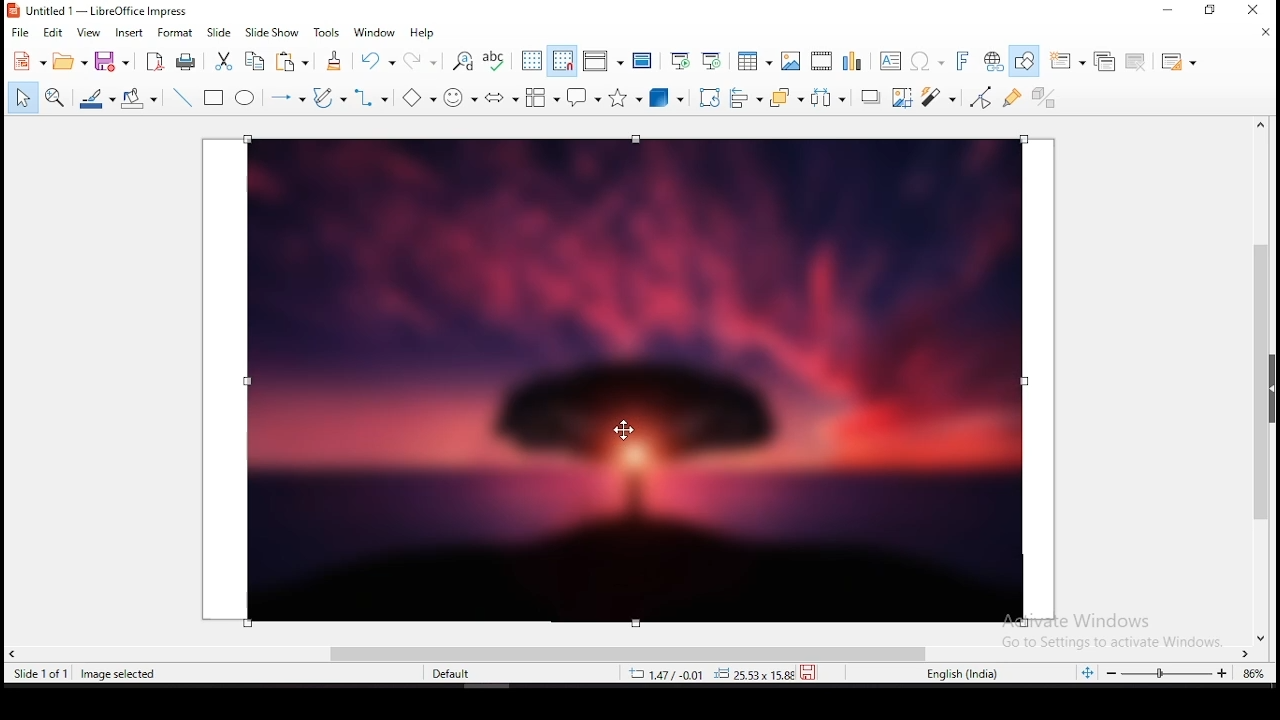 The width and height of the screenshot is (1280, 720). What do you see at coordinates (502, 97) in the screenshot?
I see `block arrows` at bounding box center [502, 97].